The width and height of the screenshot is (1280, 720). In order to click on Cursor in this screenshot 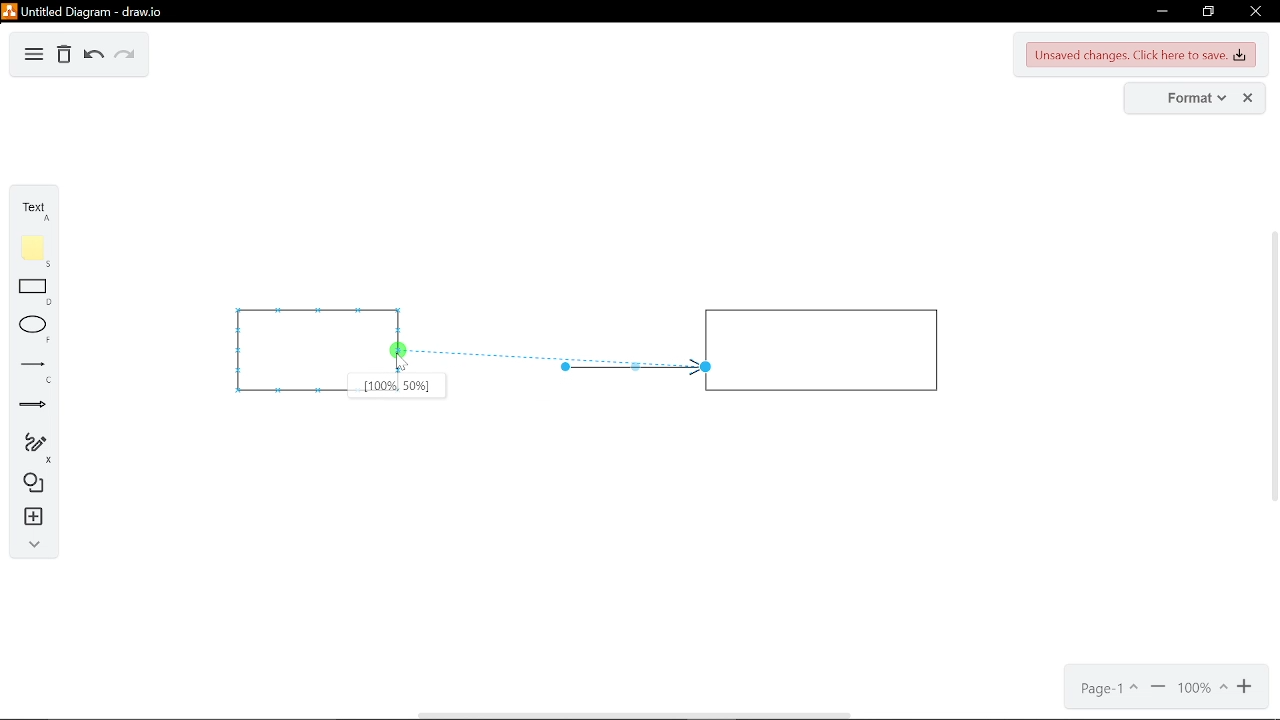, I will do `click(401, 363)`.